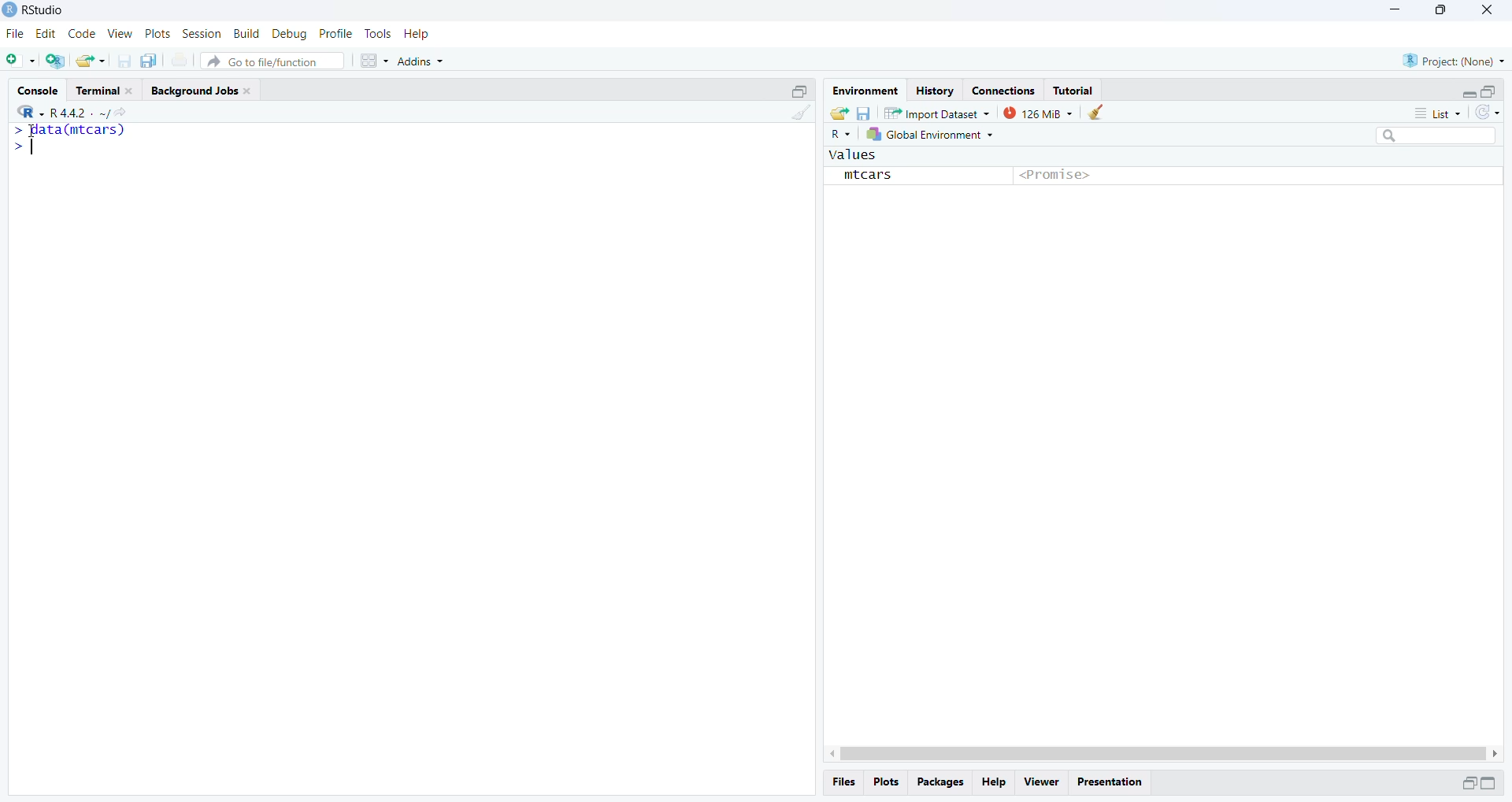  I want to click on Terminal, so click(106, 88).